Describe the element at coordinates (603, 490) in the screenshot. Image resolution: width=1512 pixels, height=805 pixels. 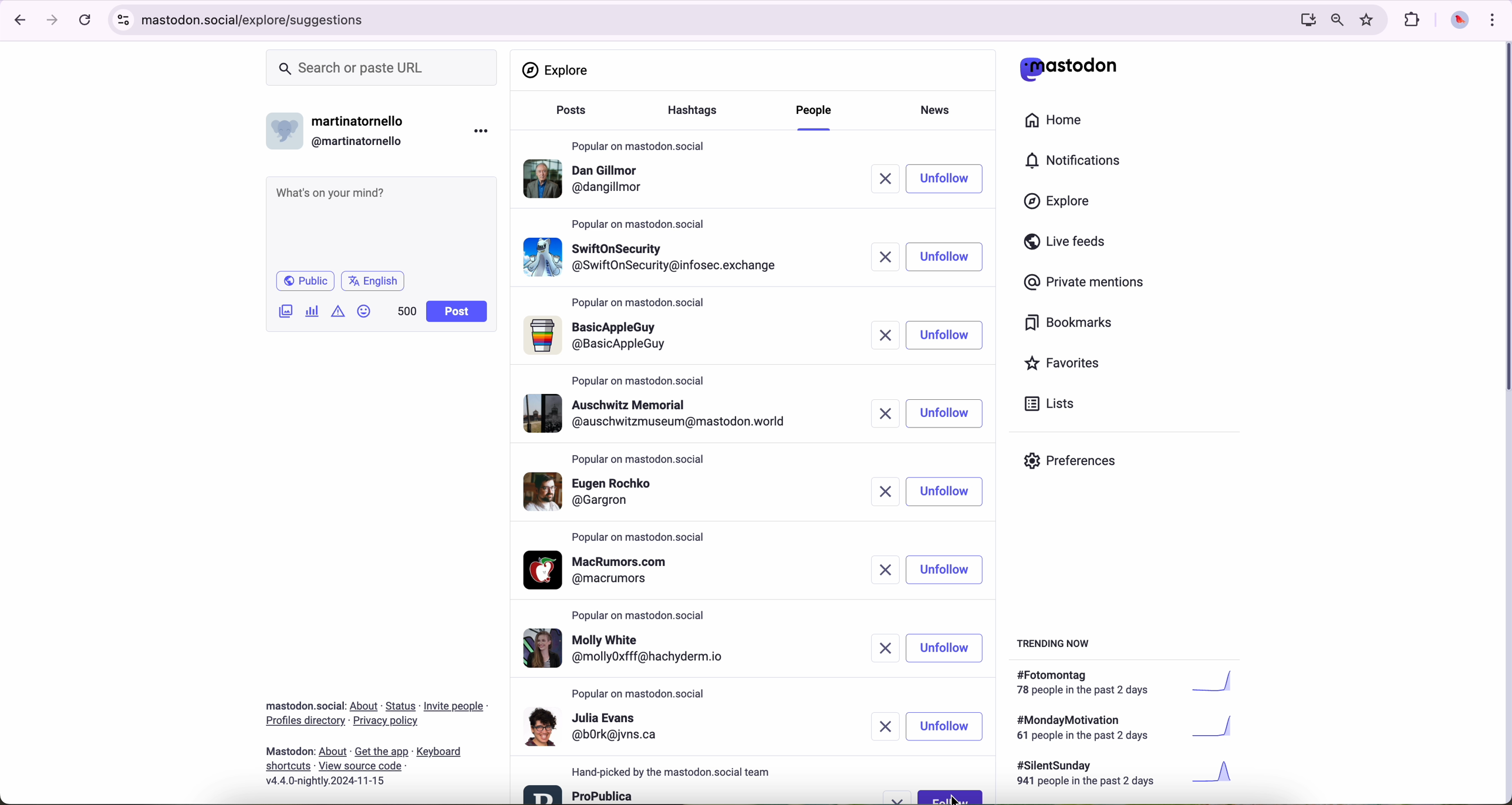
I see `profile` at that location.